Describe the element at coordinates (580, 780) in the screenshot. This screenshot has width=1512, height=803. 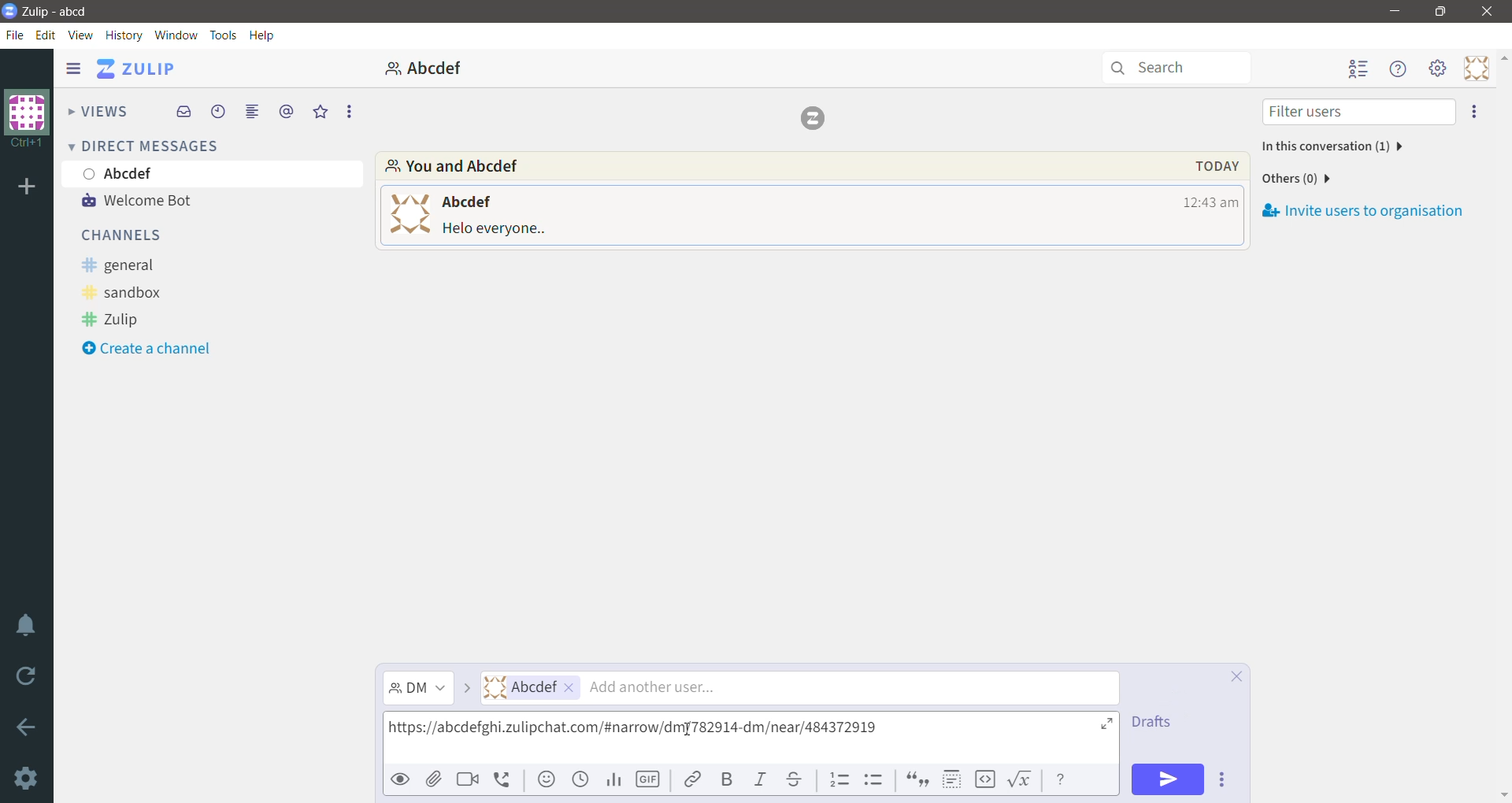
I see `Add global time` at that location.